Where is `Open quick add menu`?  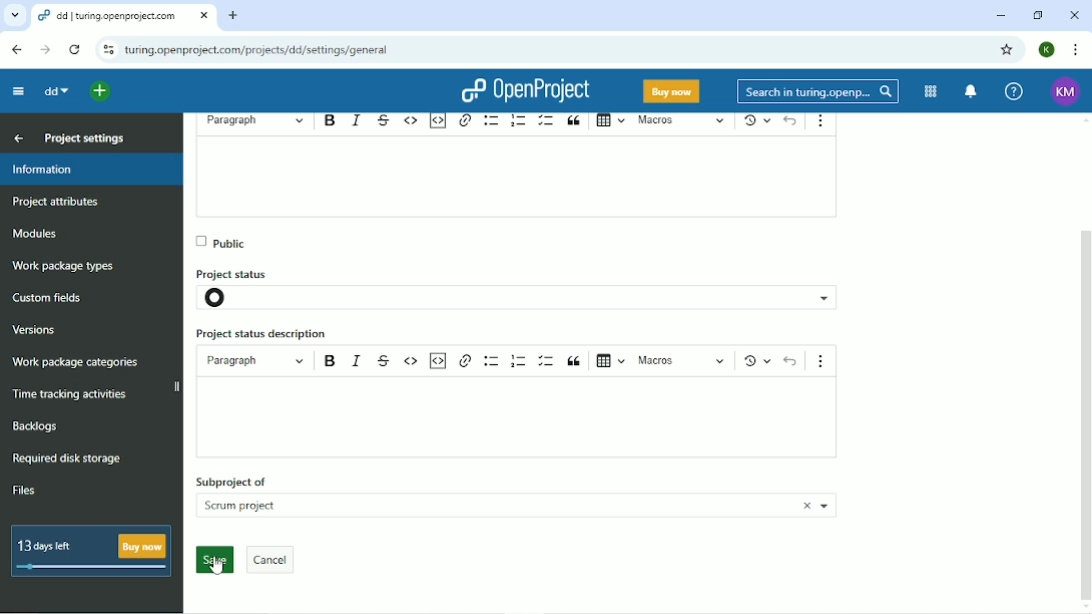 Open quick add menu is located at coordinates (104, 92).